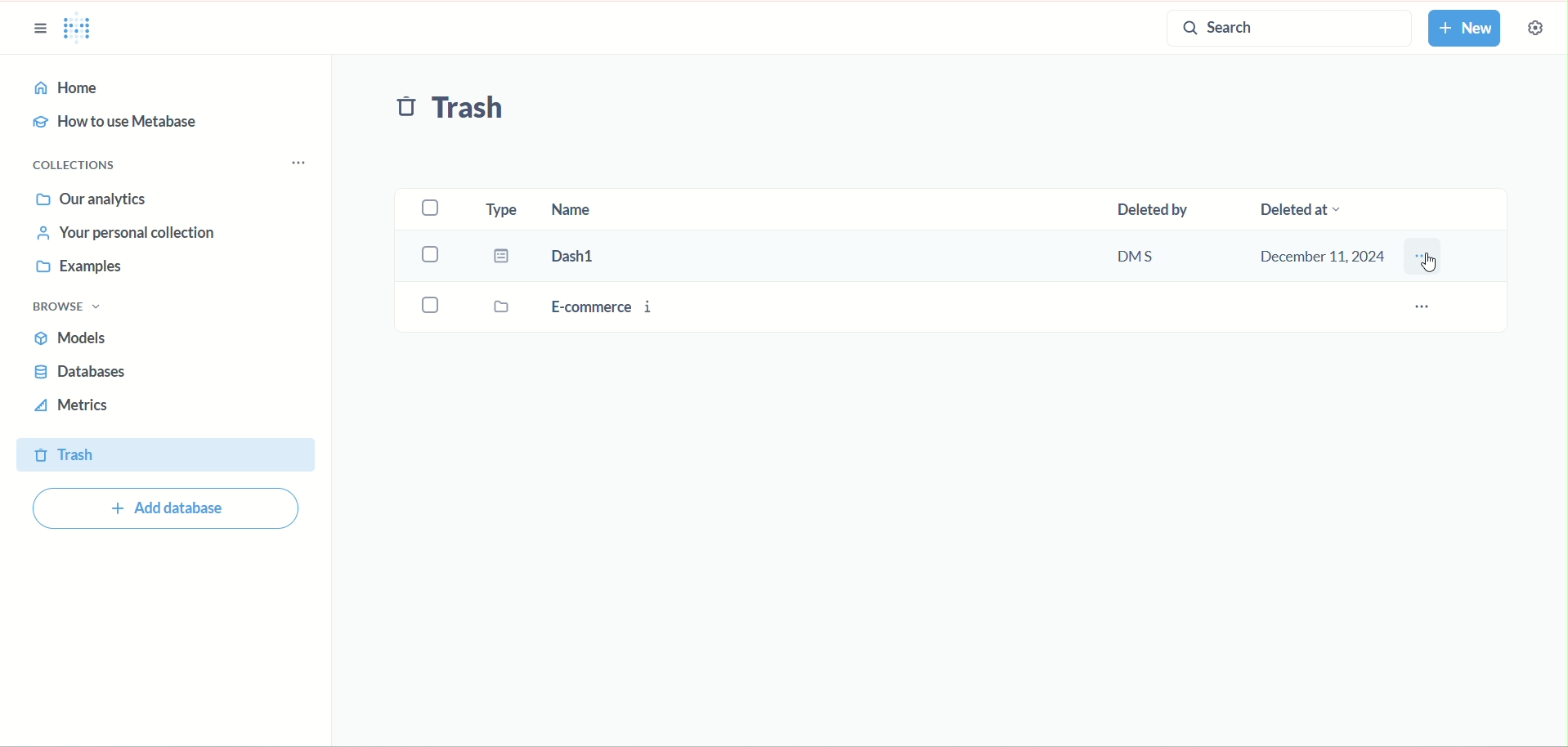 The width and height of the screenshot is (1568, 747). What do you see at coordinates (457, 112) in the screenshot?
I see `trash` at bounding box center [457, 112].